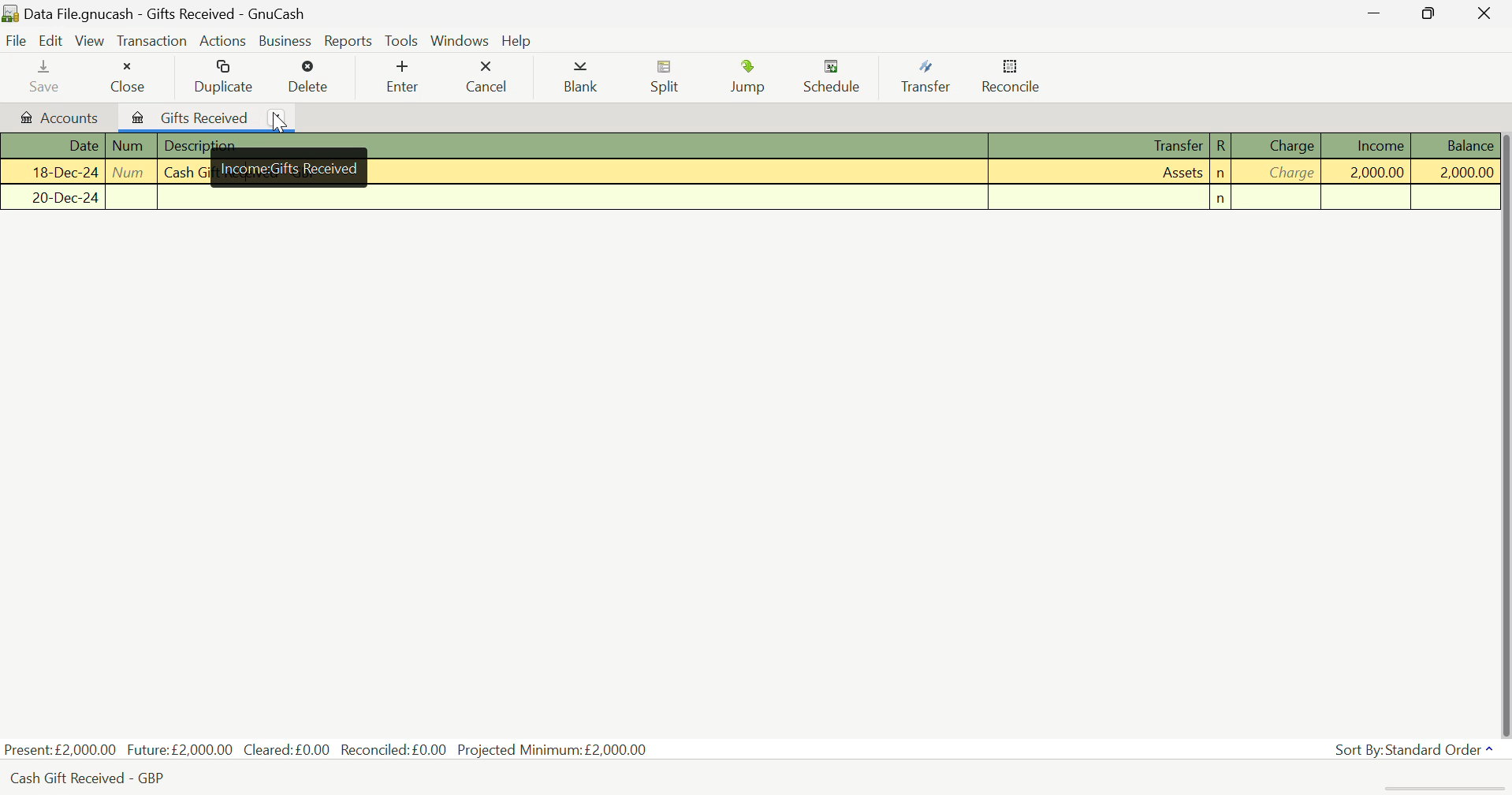 The image size is (1512, 795). Describe the element at coordinates (275, 117) in the screenshot. I see `Cursor on Close Tab Button` at that location.